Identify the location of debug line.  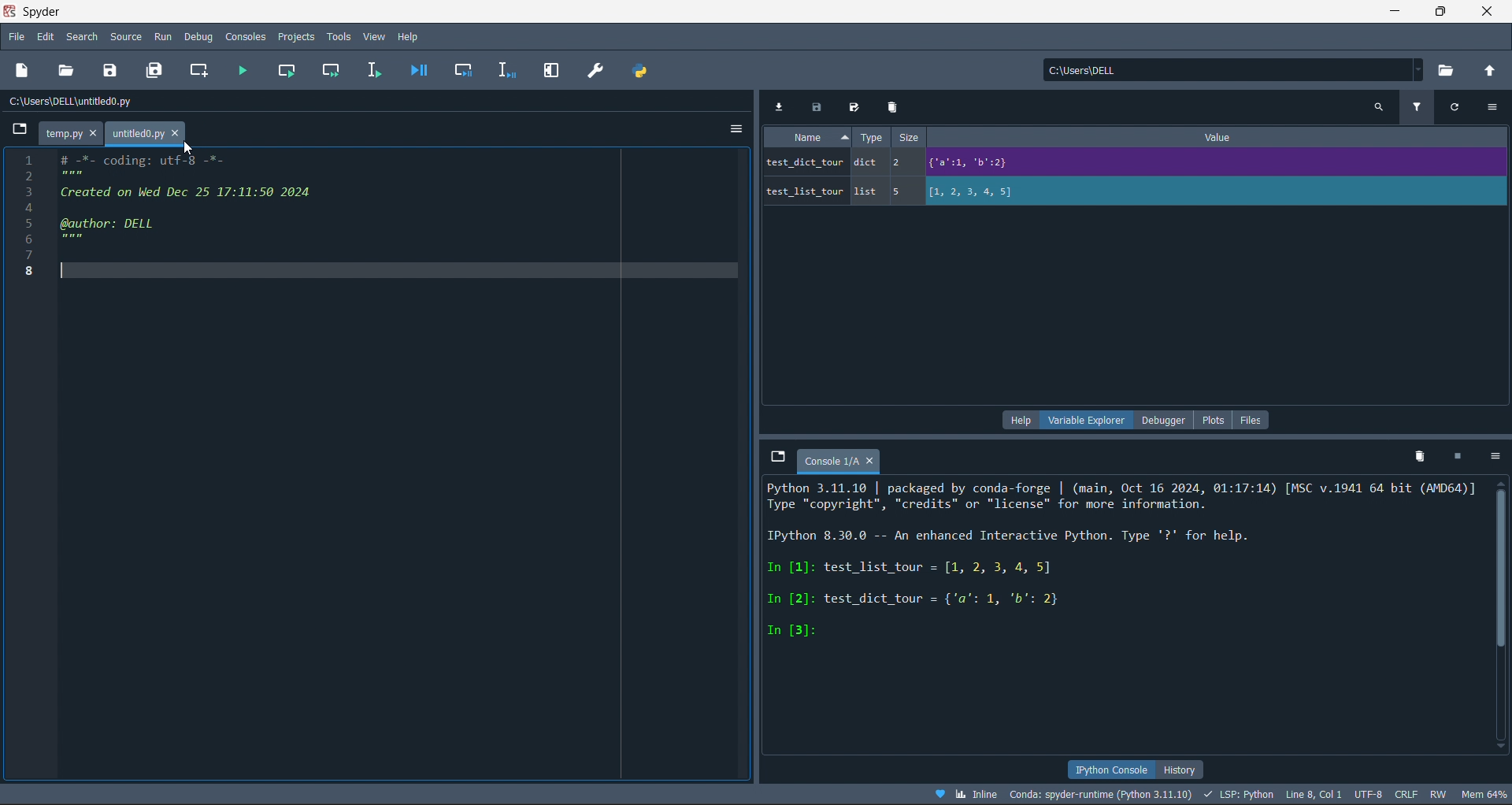
(502, 69).